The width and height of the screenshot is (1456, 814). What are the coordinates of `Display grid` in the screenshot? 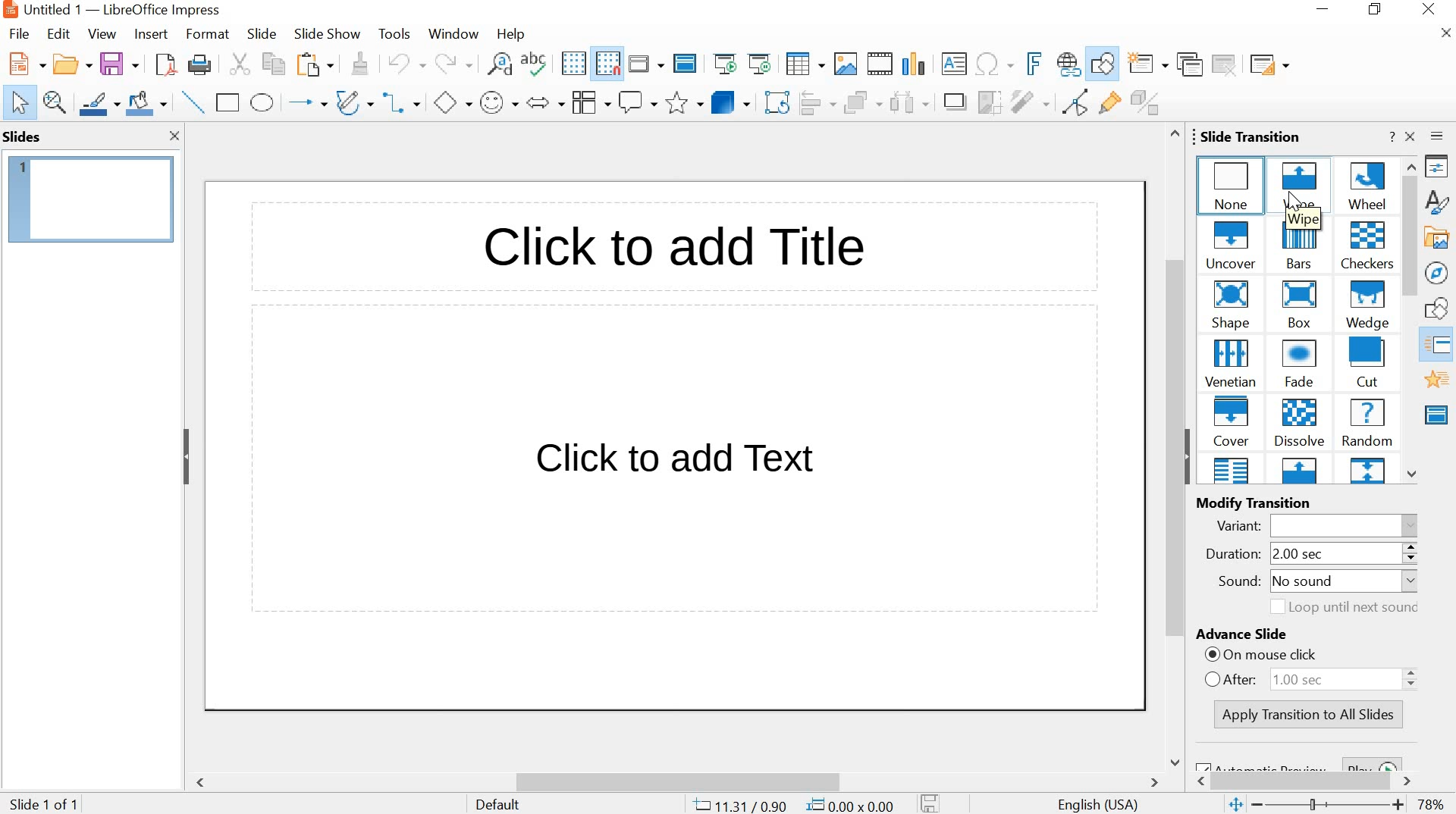 It's located at (573, 64).